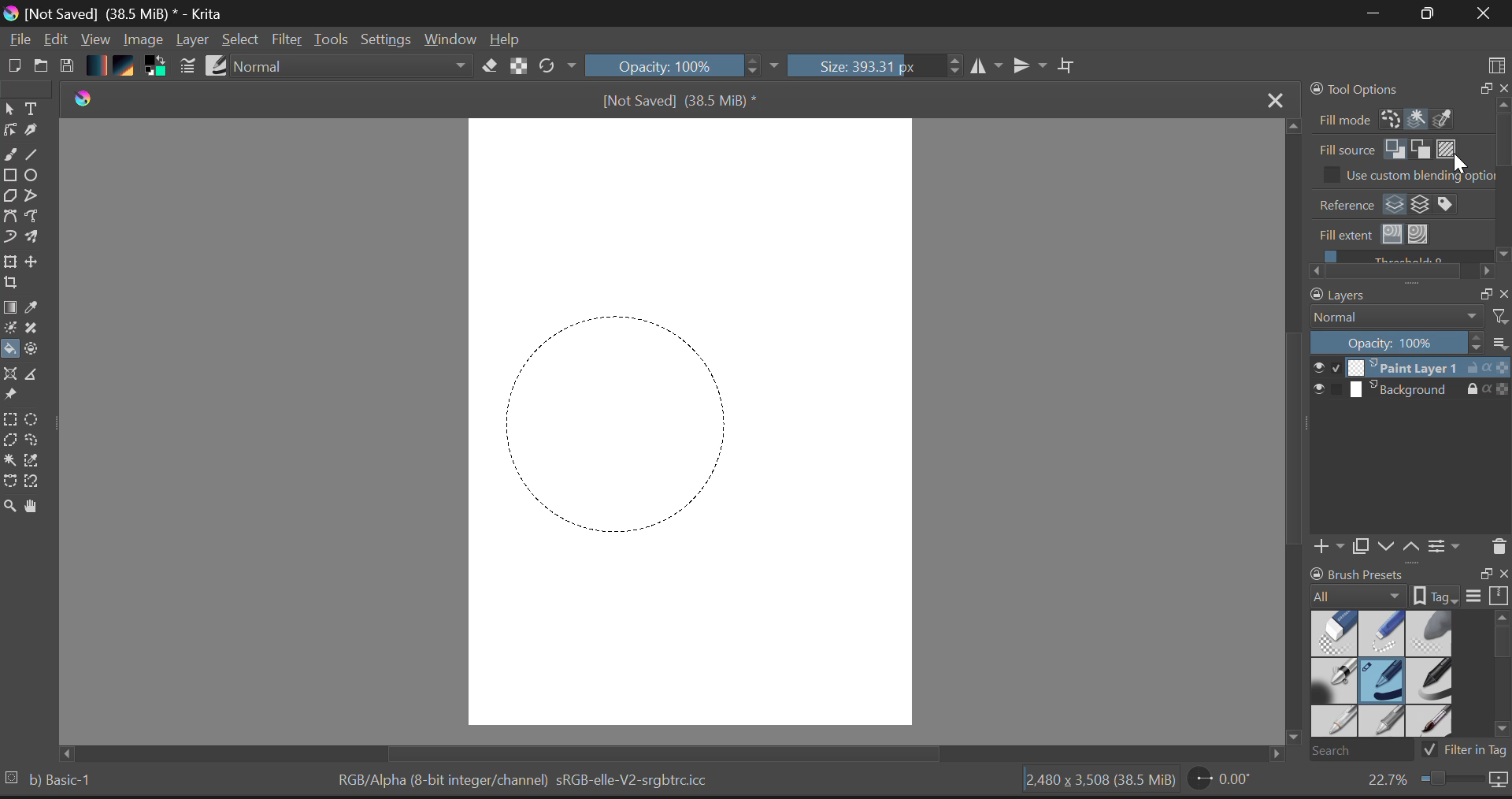 Image resolution: width=1512 pixels, height=799 pixels. What do you see at coordinates (13, 156) in the screenshot?
I see `freehand curve` at bounding box center [13, 156].